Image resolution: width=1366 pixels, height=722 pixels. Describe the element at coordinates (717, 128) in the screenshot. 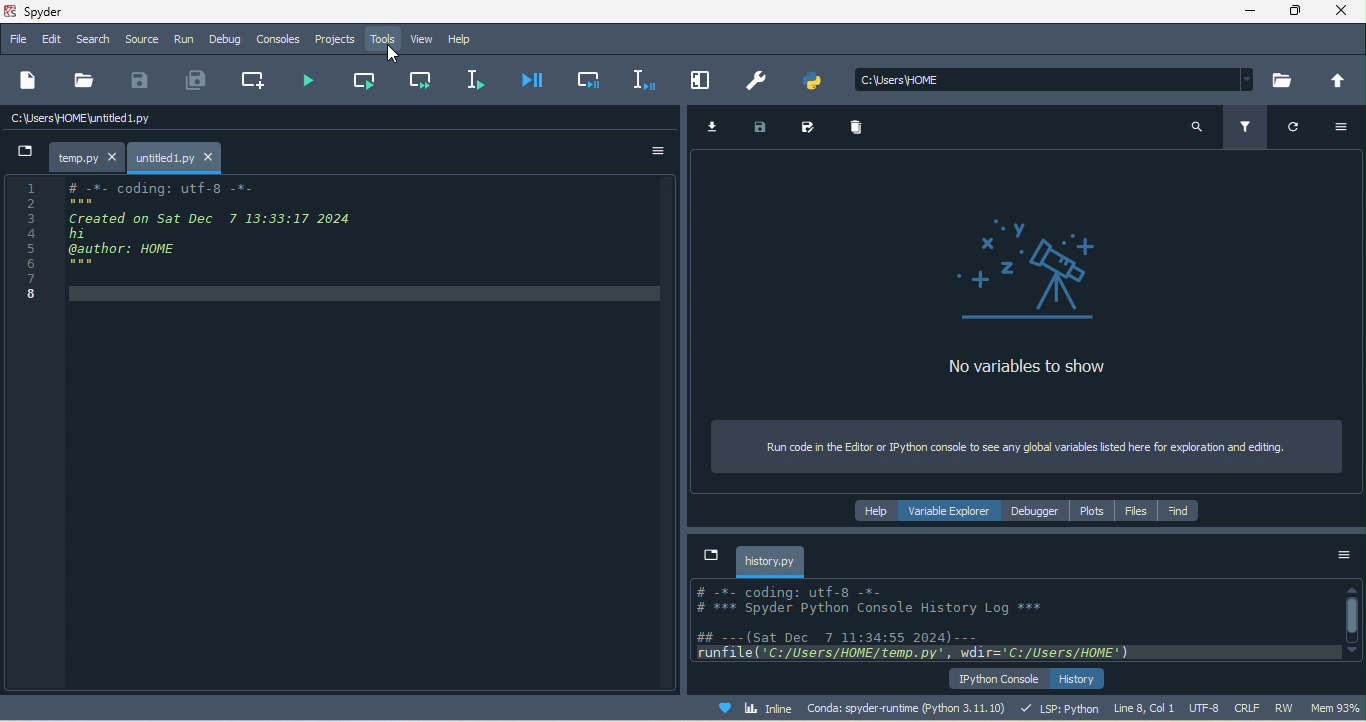

I see `import` at that location.